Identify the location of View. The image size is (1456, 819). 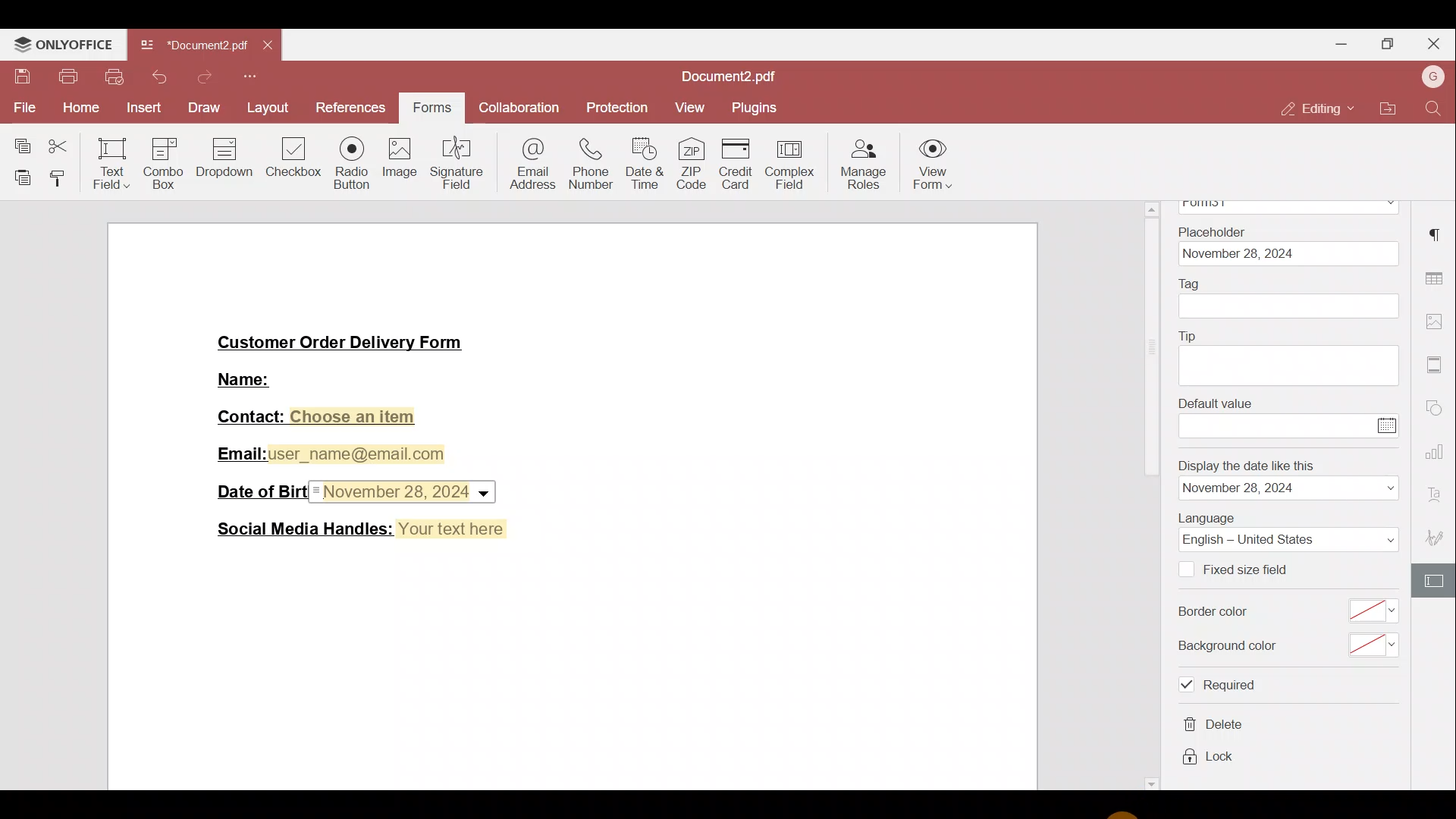
(695, 105).